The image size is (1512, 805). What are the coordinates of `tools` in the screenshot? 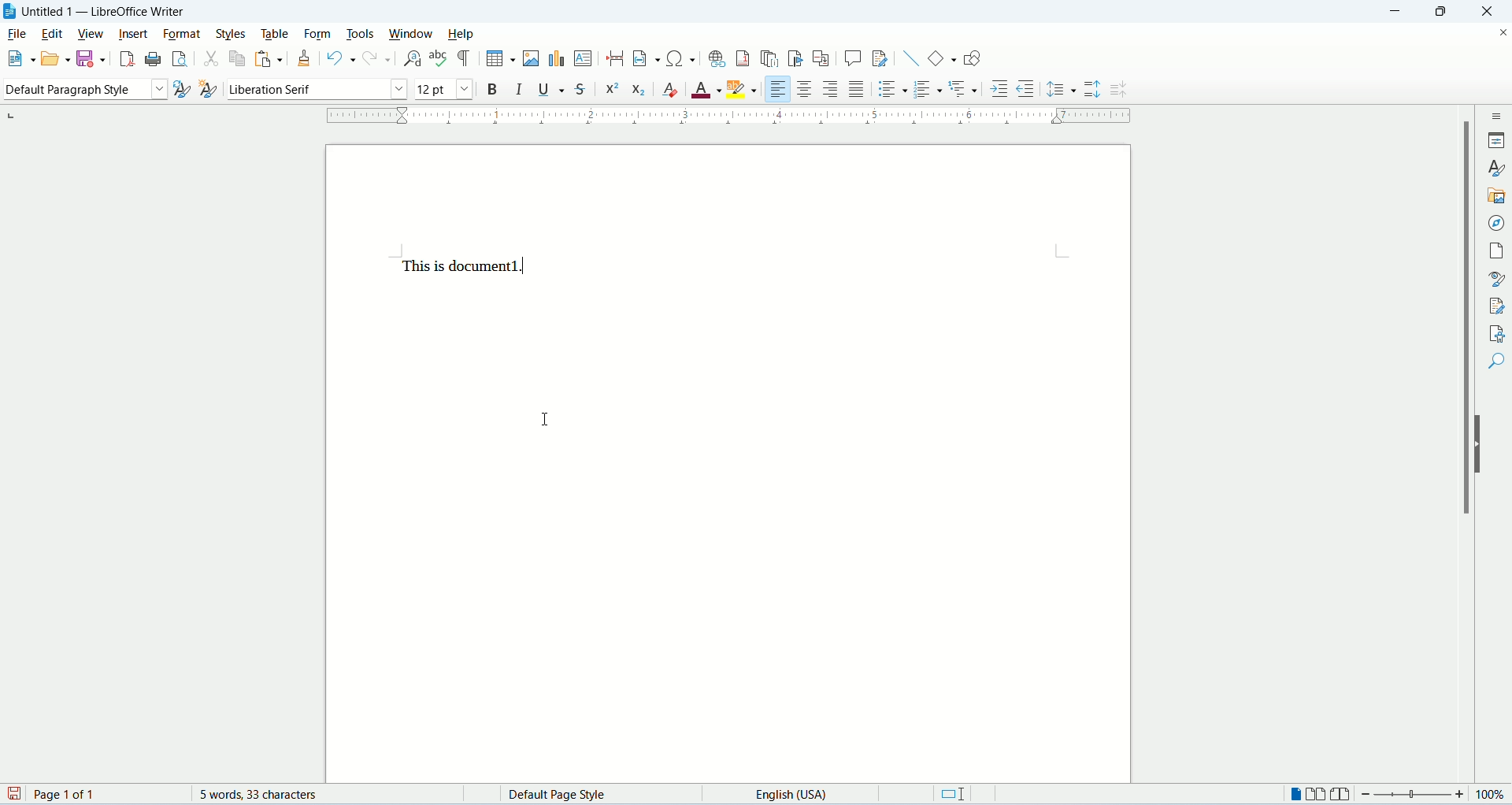 It's located at (361, 34).